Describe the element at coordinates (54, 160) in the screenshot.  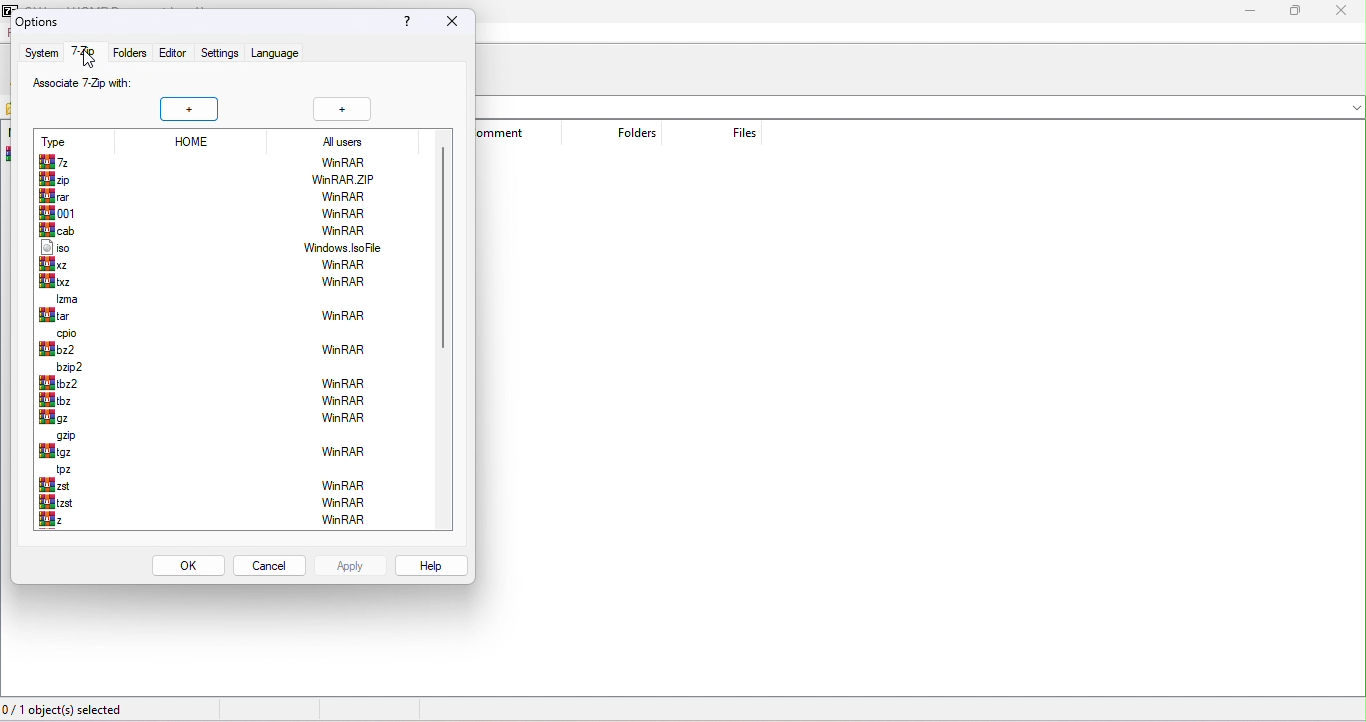
I see `7z` at that location.